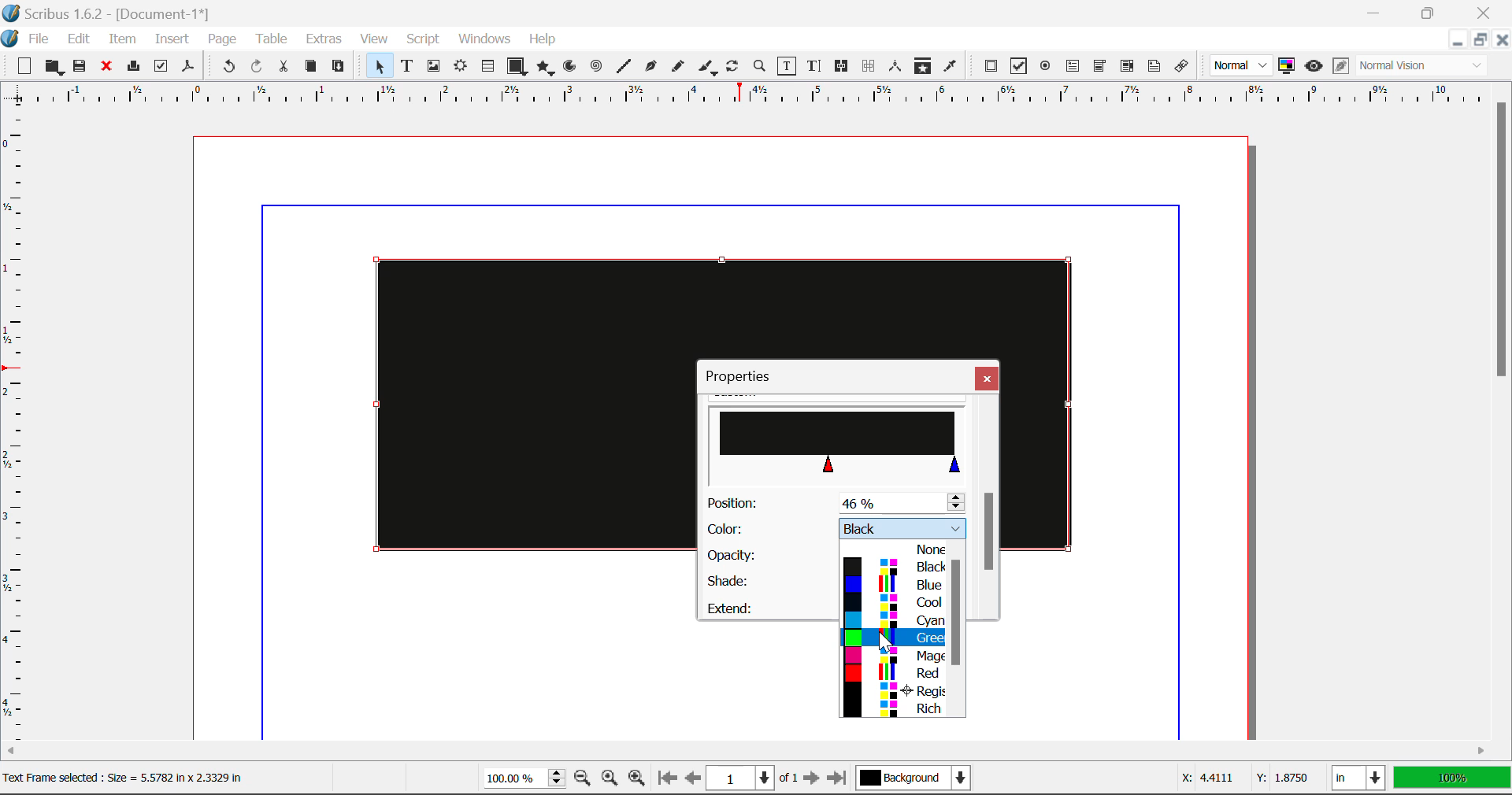  What do you see at coordinates (1128, 66) in the screenshot?
I see `PDF List Box` at bounding box center [1128, 66].